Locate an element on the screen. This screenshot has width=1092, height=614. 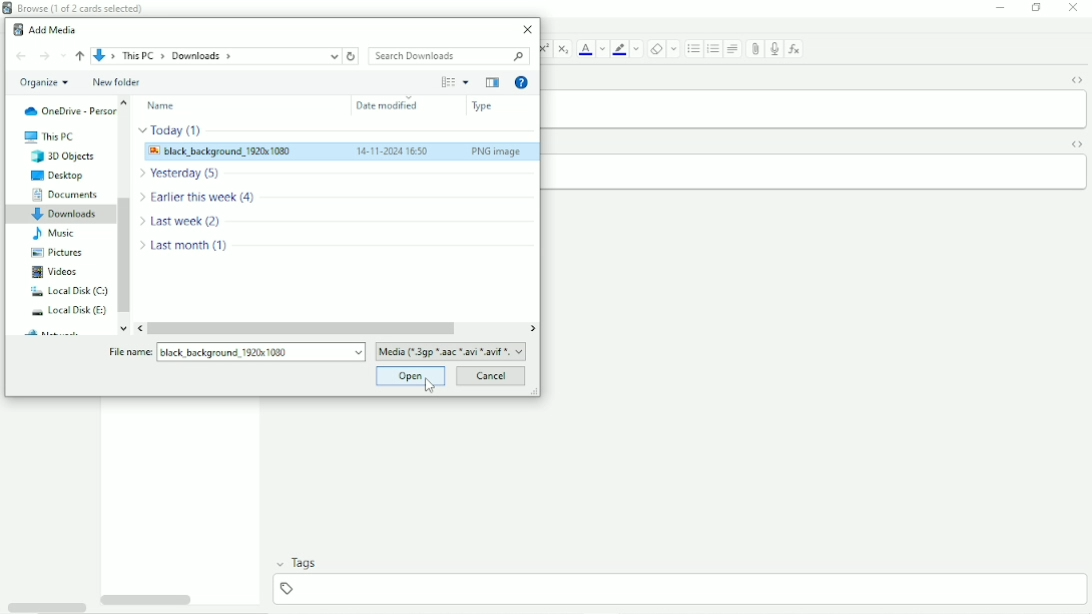
Type is located at coordinates (482, 106).